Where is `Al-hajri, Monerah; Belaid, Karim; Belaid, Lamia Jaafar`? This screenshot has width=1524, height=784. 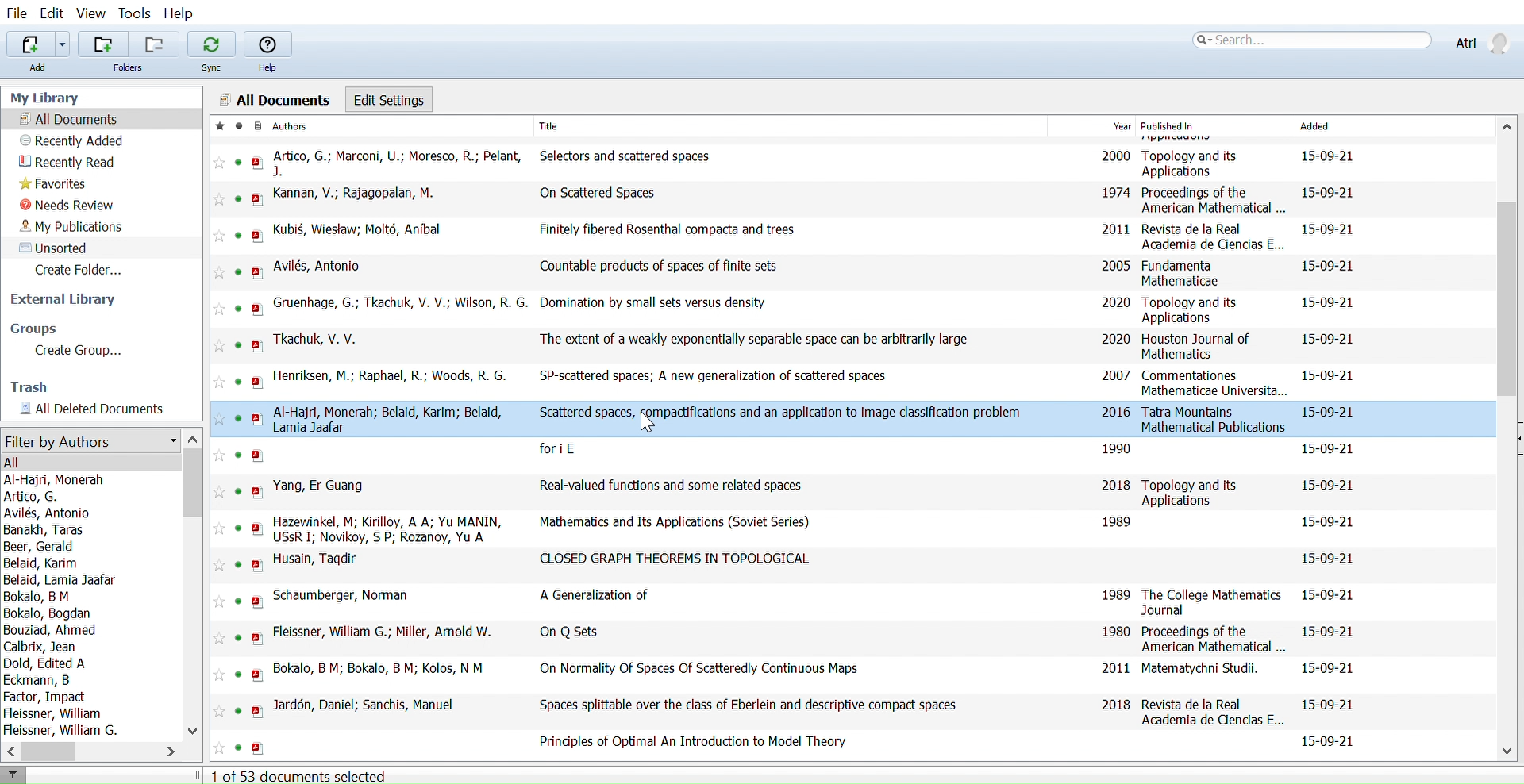 Al-hajri, Monerah; Belaid, Karim; Belaid, Lamia Jaafar is located at coordinates (394, 419).